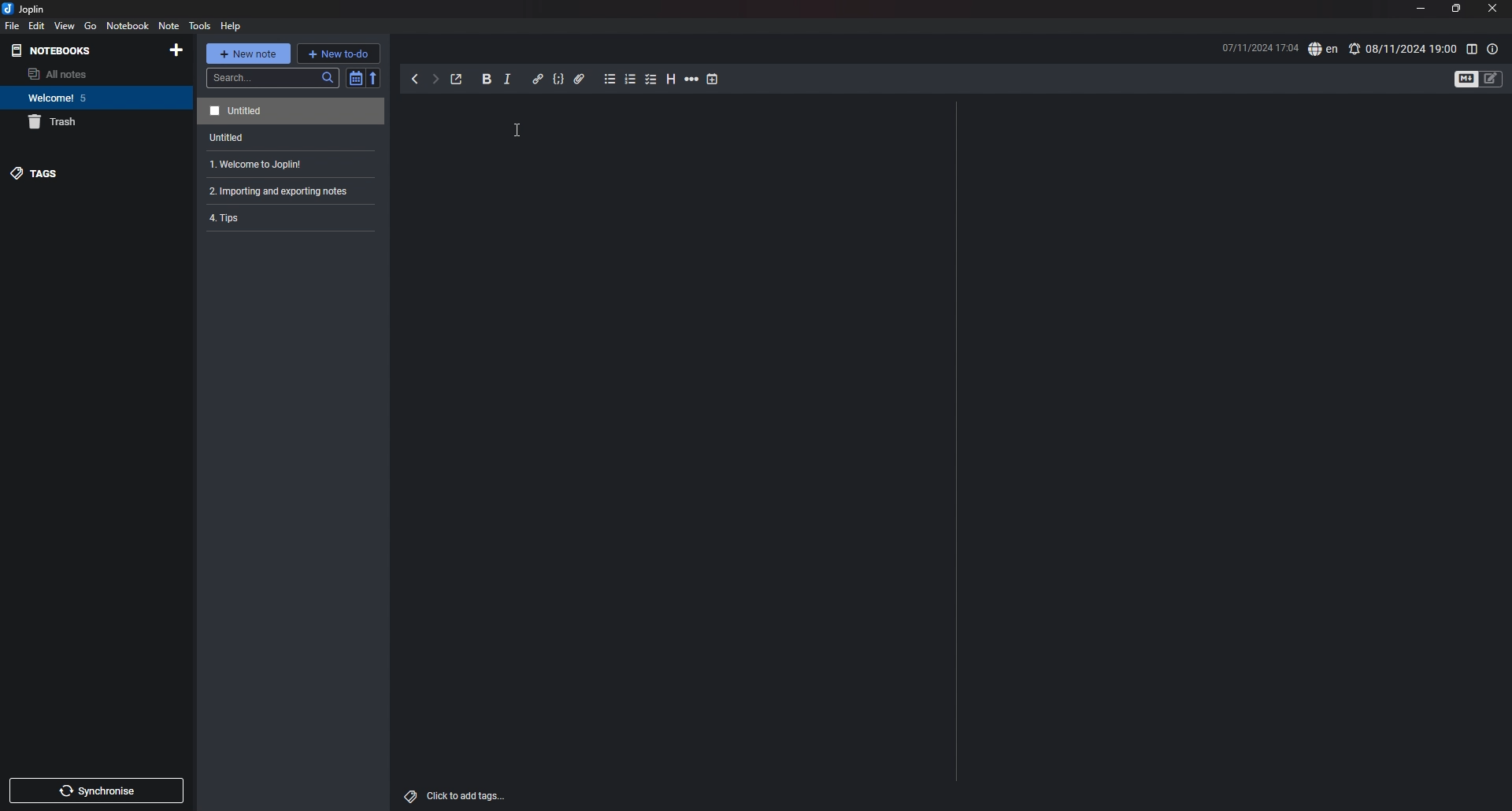 Image resolution: width=1512 pixels, height=811 pixels. Describe the element at coordinates (580, 80) in the screenshot. I see `attachment` at that location.